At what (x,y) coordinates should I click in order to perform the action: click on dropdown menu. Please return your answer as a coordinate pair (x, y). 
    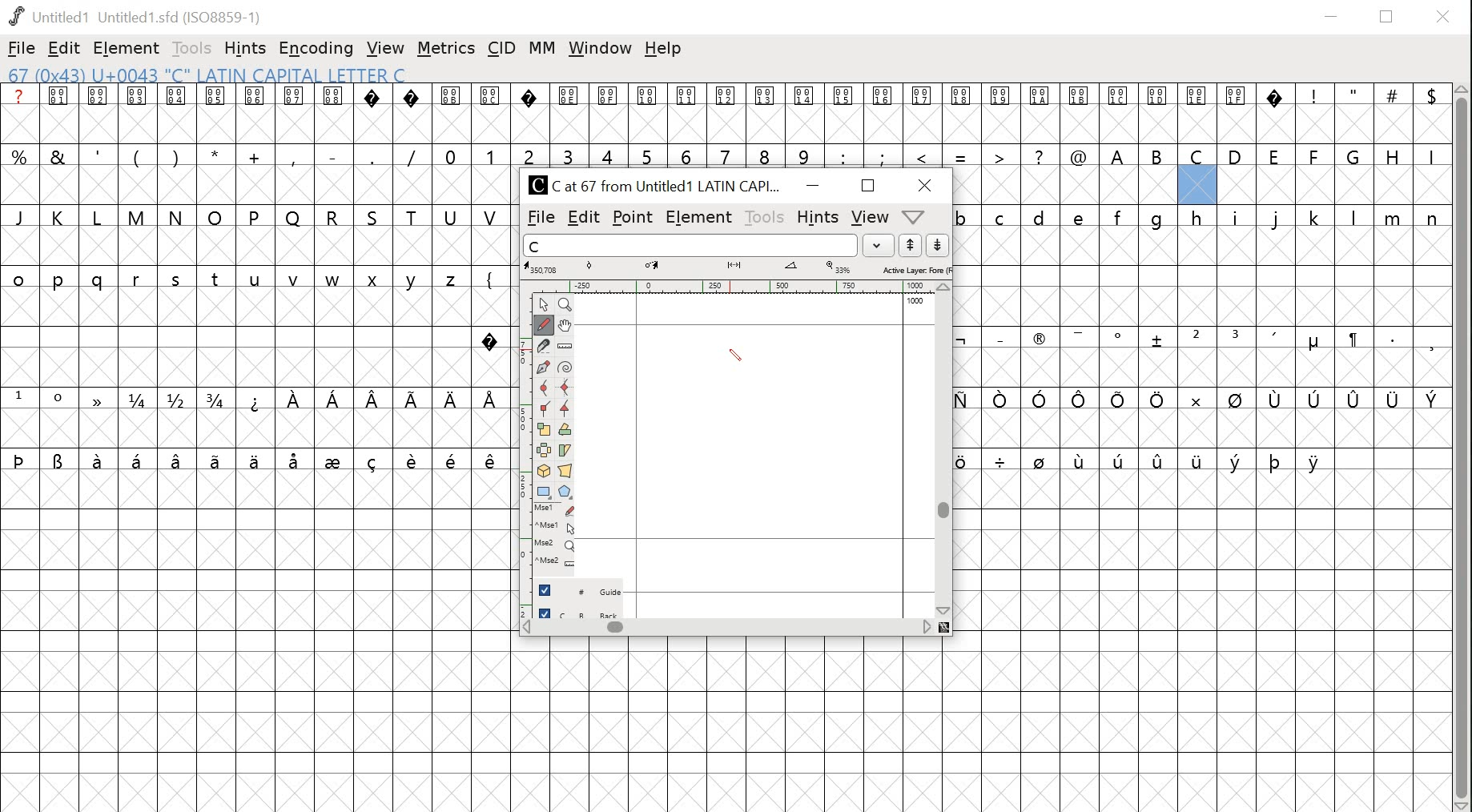
    Looking at the image, I should click on (878, 245).